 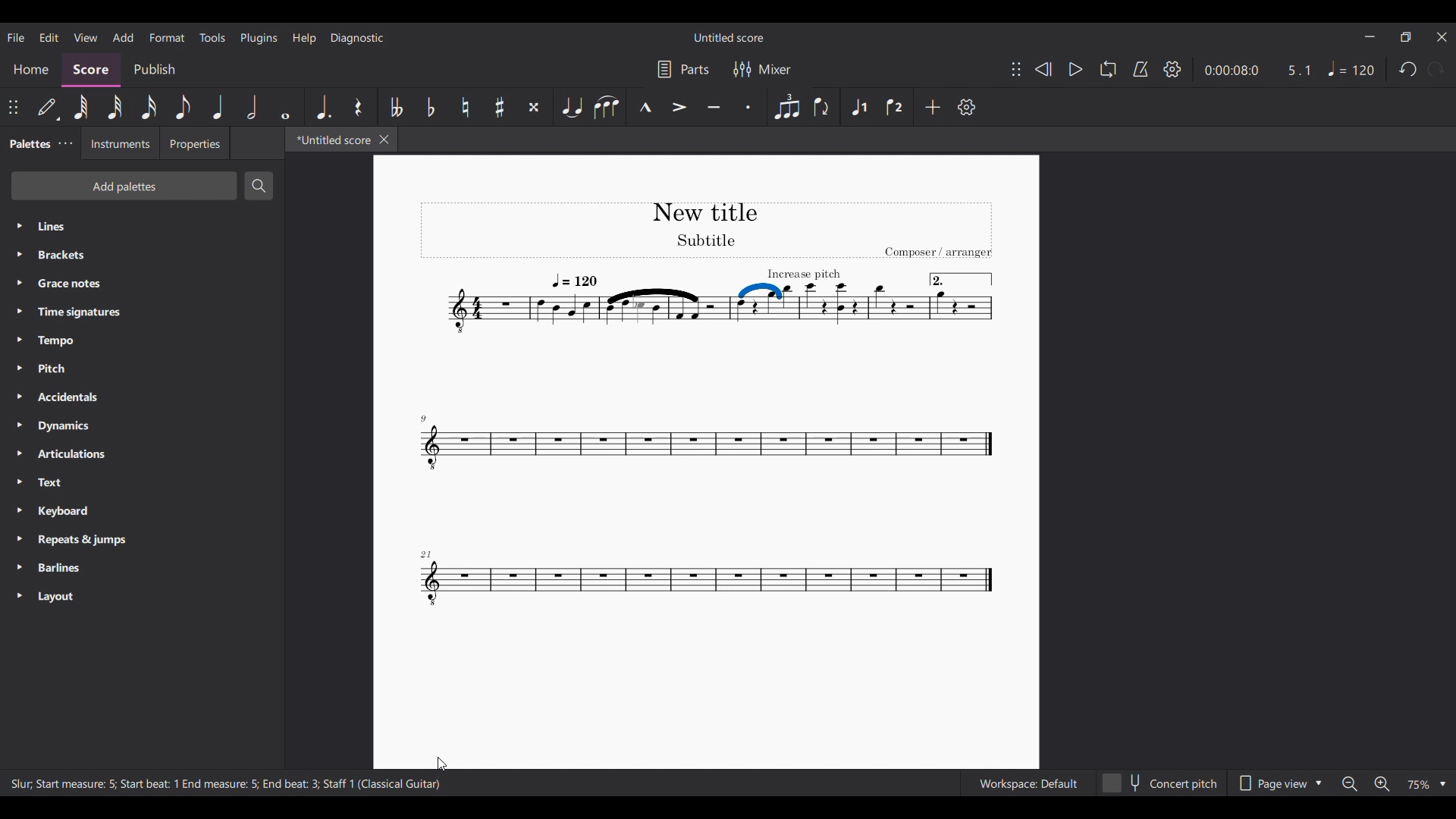 I want to click on Search, so click(x=258, y=186).